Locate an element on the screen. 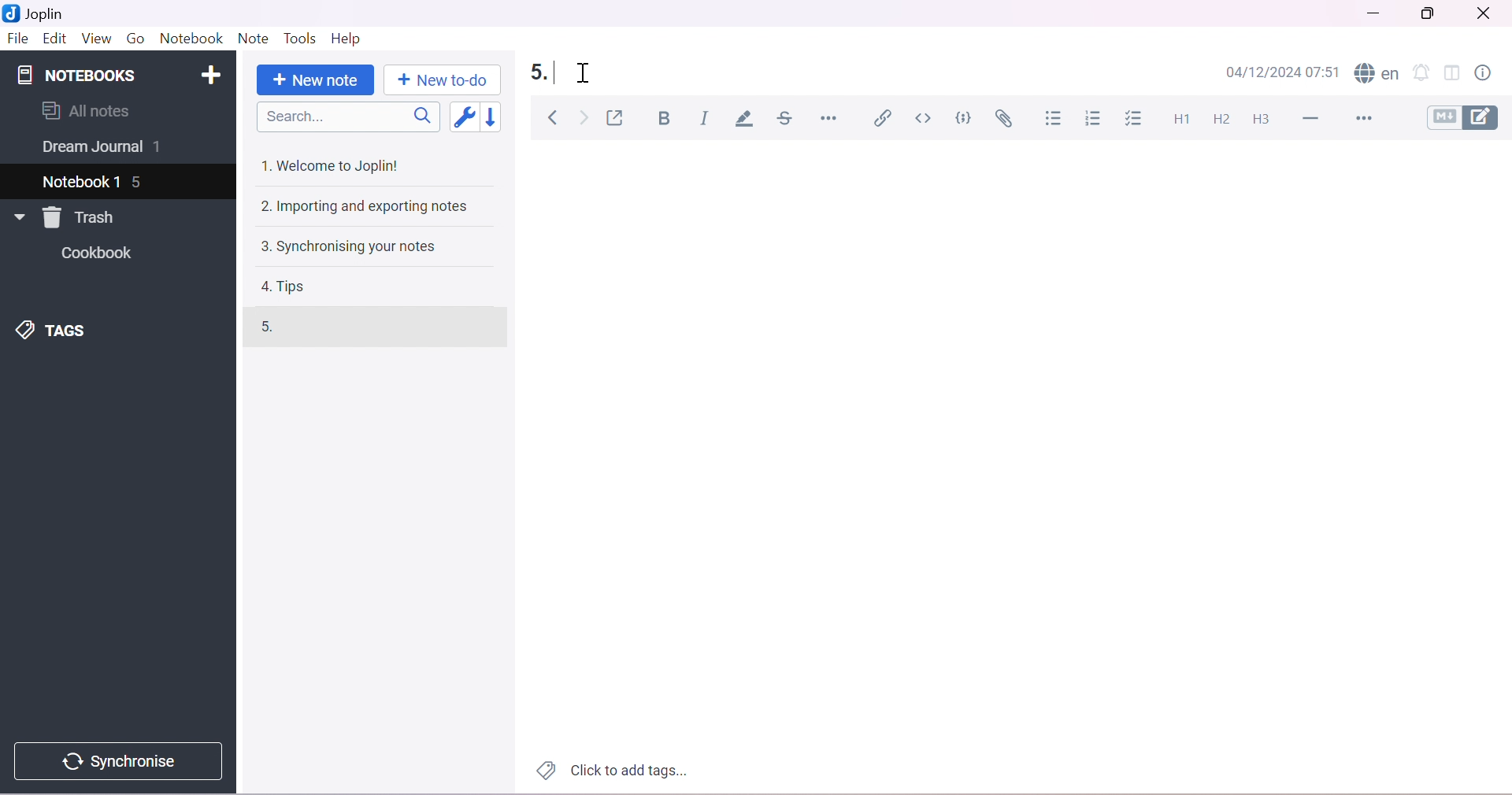 The width and height of the screenshot is (1512, 795). Click to add tags is located at coordinates (609, 771).